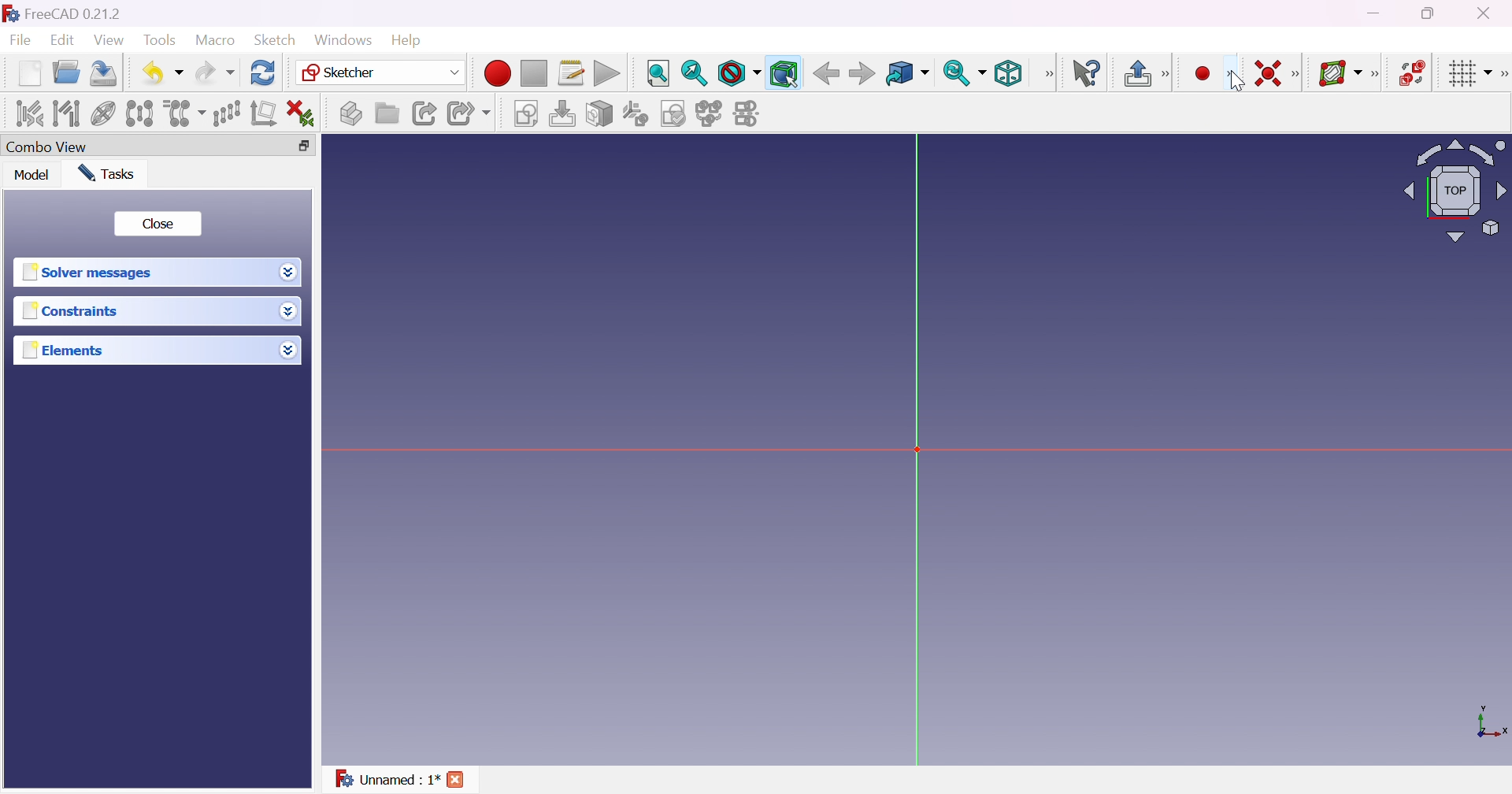 The image size is (1512, 794). What do you see at coordinates (1009, 72) in the screenshot?
I see `Isometric` at bounding box center [1009, 72].